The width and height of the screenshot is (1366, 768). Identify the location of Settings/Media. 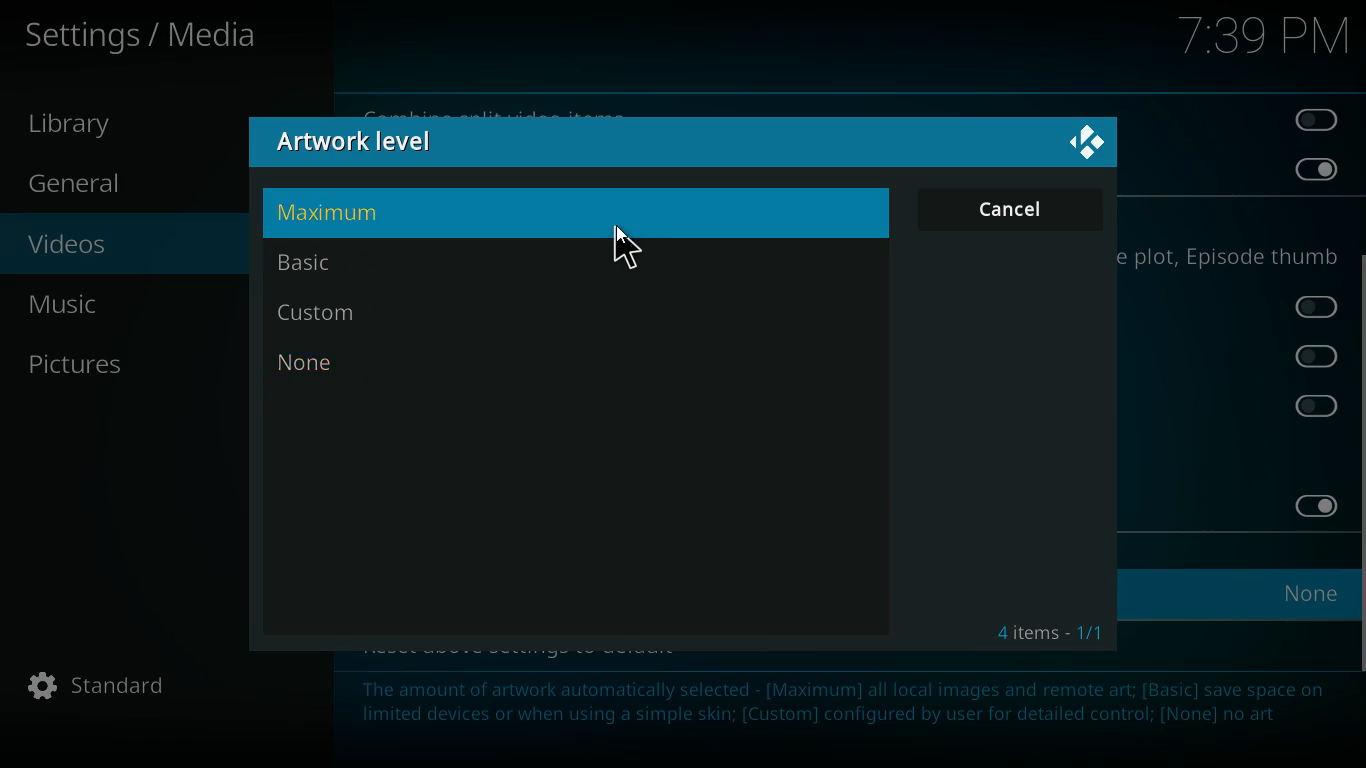
(146, 36).